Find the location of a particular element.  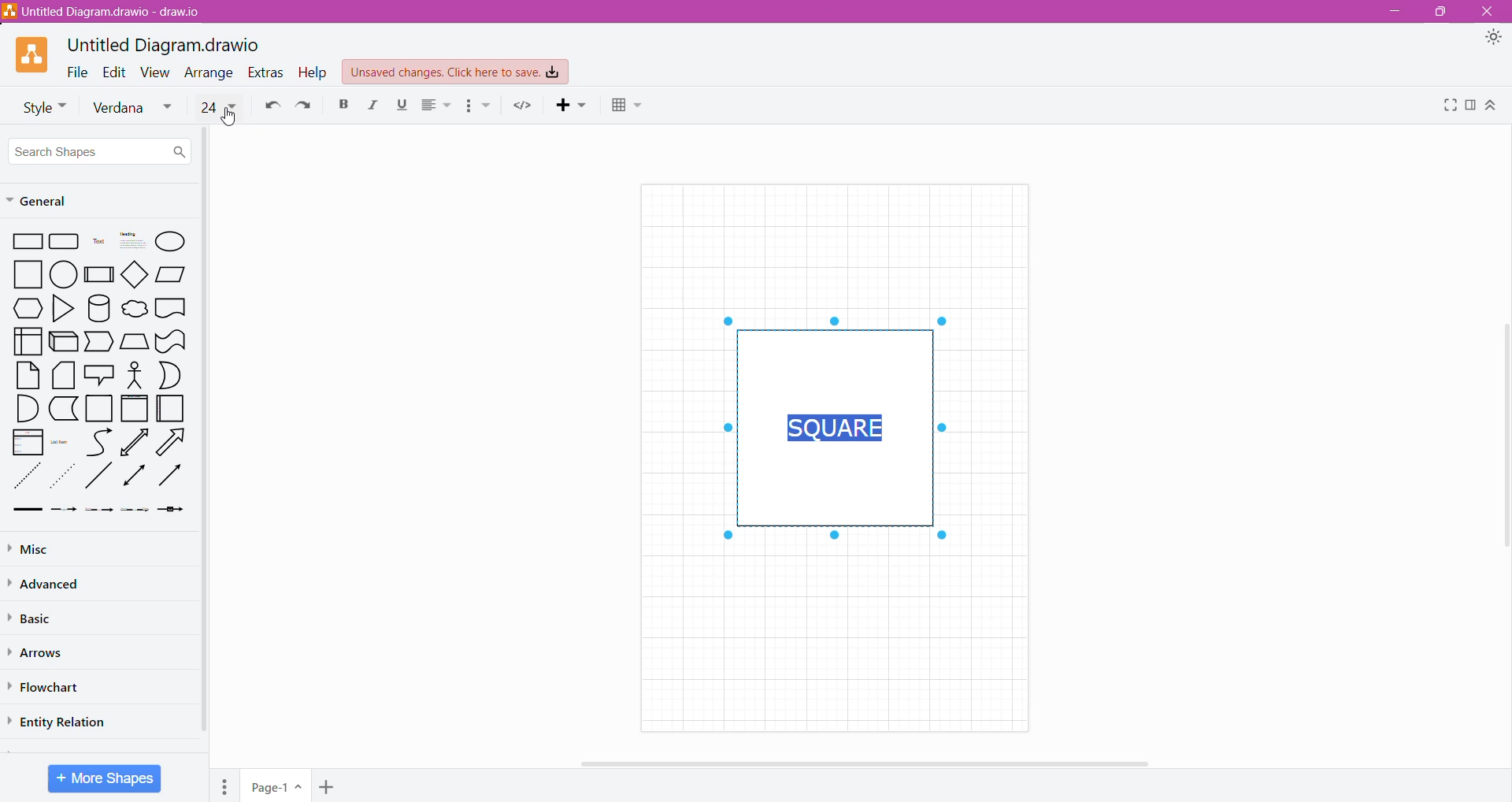

Format is located at coordinates (1469, 109).